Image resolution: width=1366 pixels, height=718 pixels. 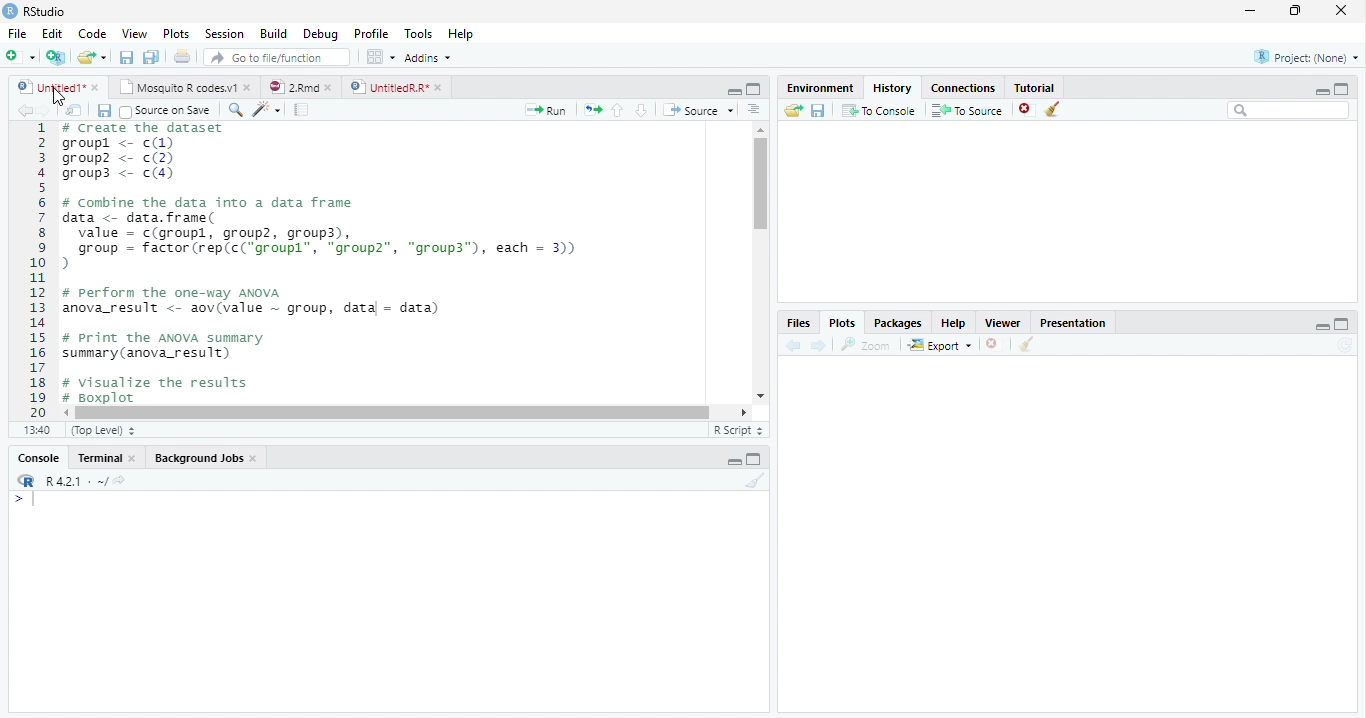 What do you see at coordinates (108, 458) in the screenshot?
I see `Terminal` at bounding box center [108, 458].